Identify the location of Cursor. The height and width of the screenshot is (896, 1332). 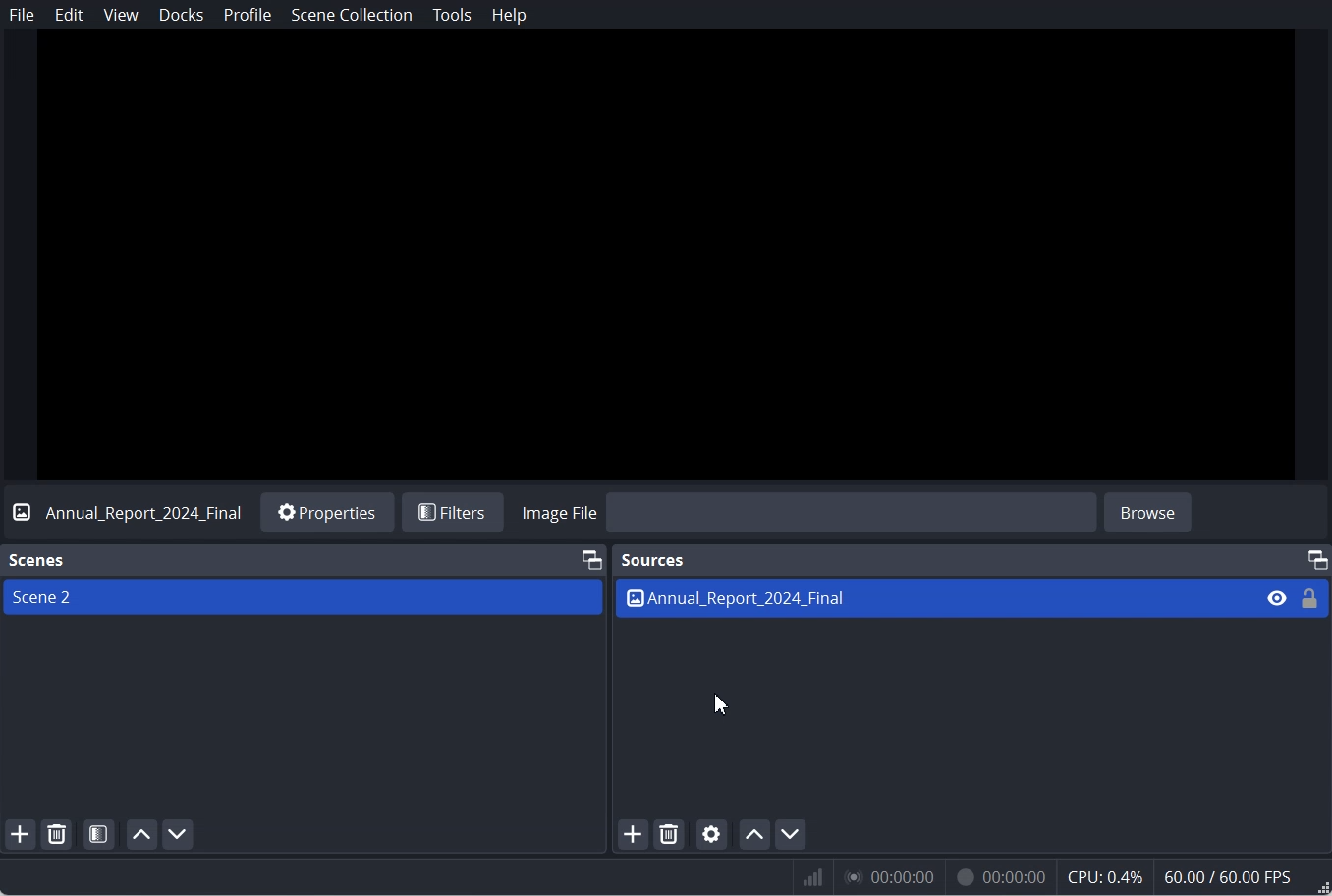
(721, 702).